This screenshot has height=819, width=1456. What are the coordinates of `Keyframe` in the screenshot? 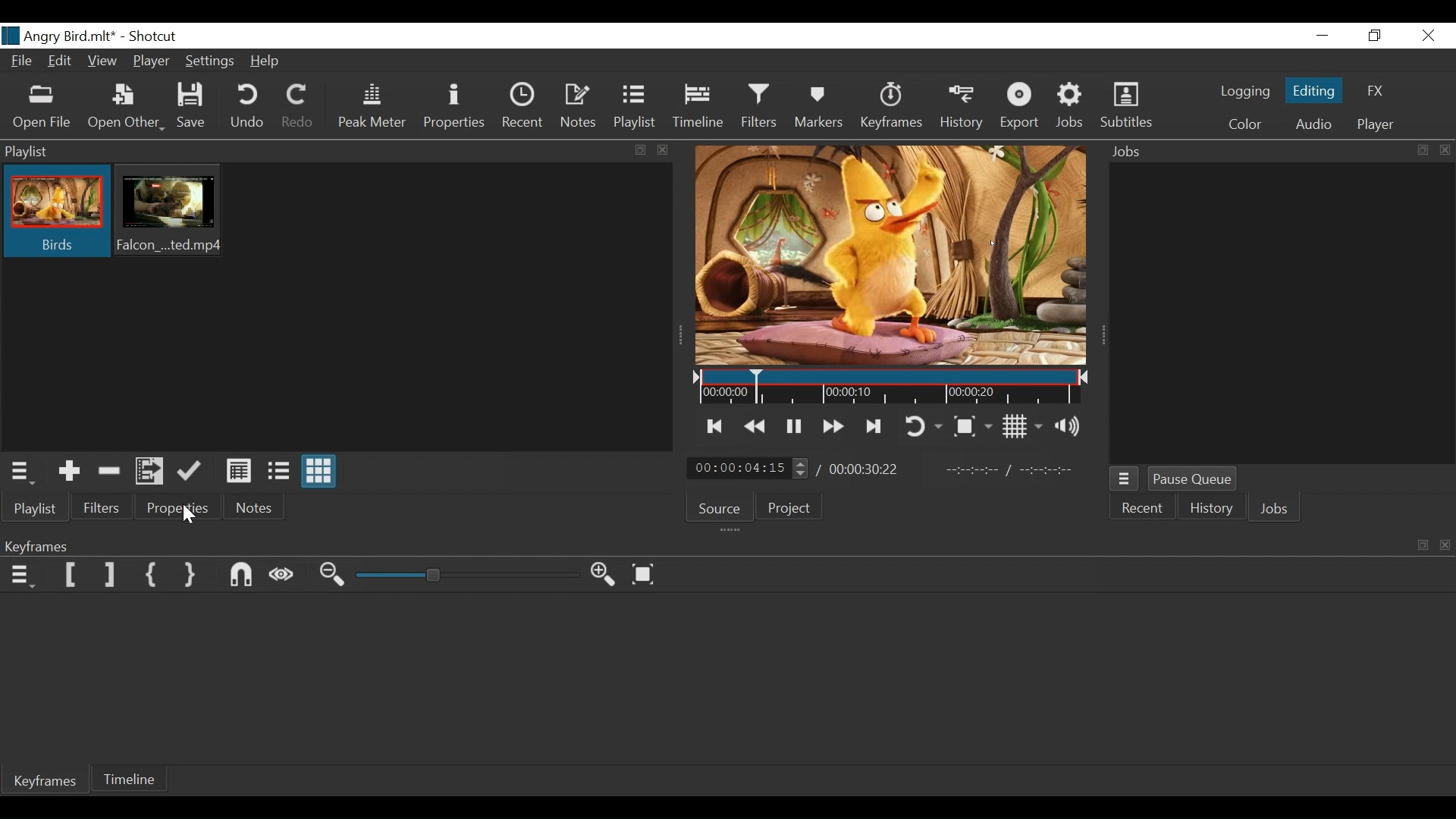 It's located at (893, 108).